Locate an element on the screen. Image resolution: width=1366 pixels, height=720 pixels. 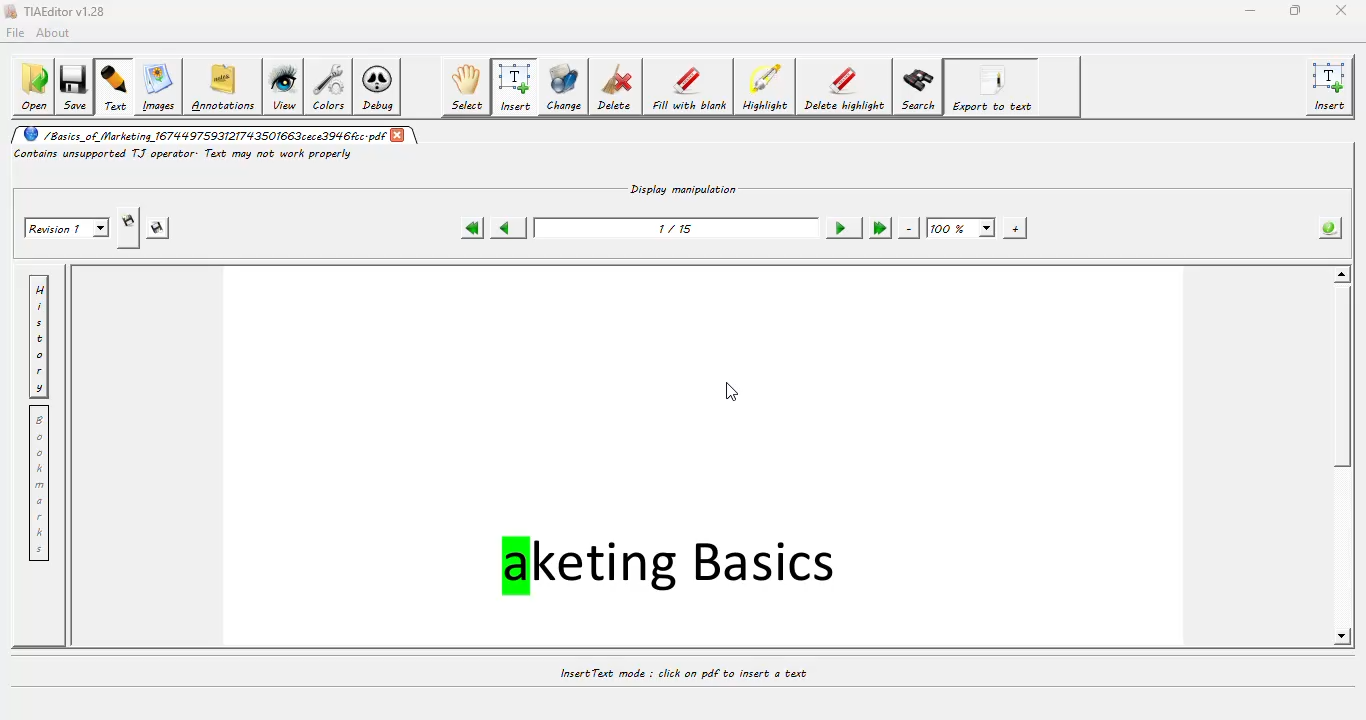
save is located at coordinates (77, 85).